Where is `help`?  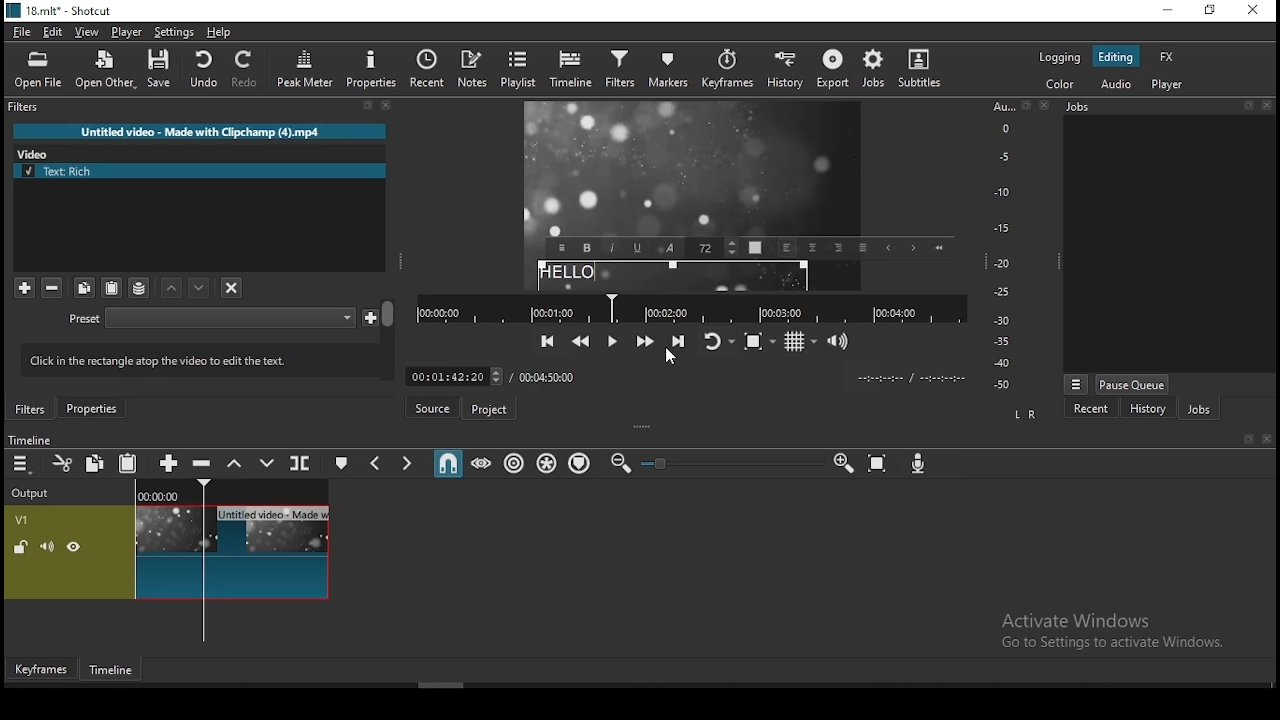
help is located at coordinates (219, 33).